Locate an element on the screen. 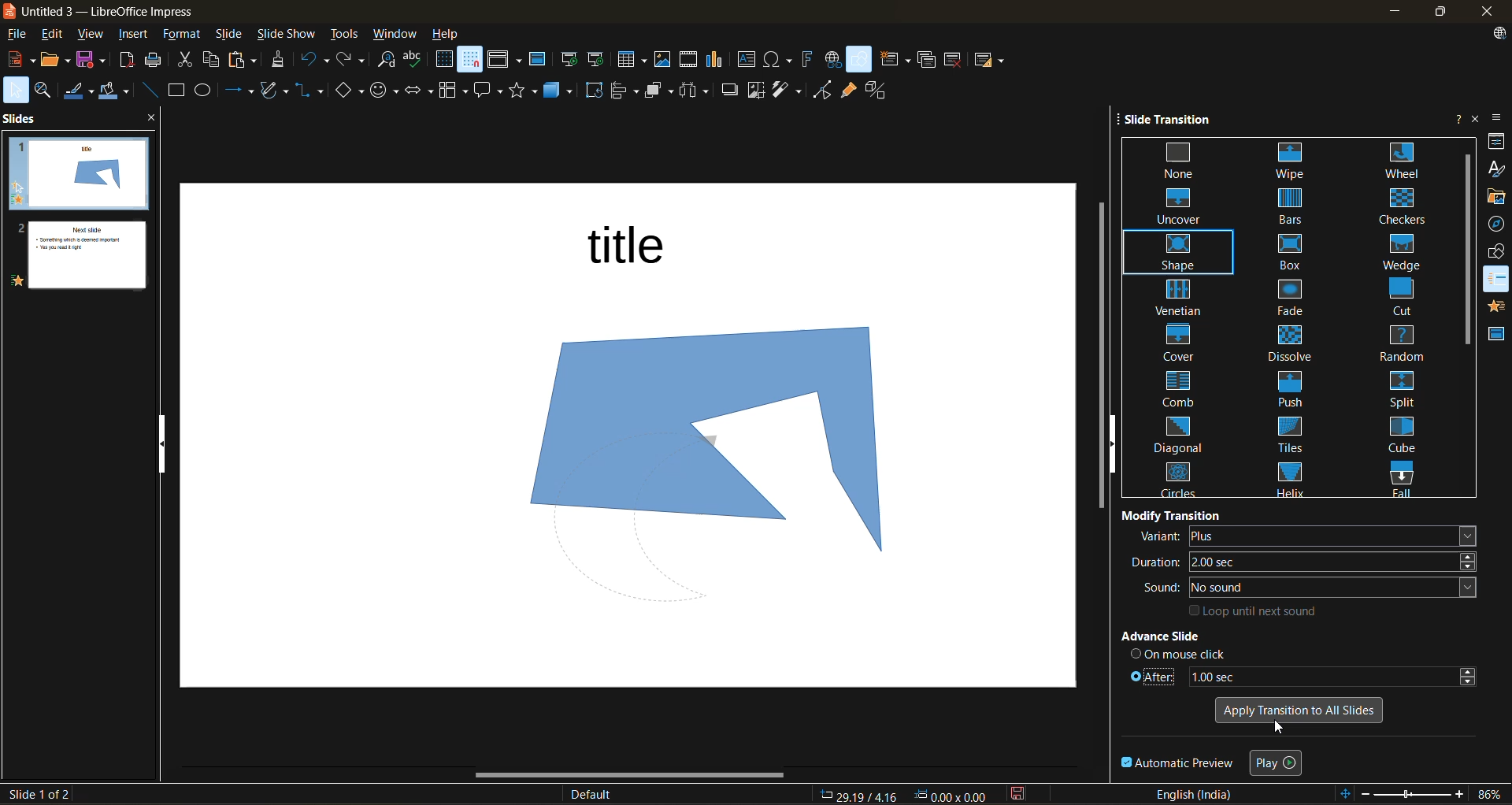  on mouse click is located at coordinates (1180, 653).